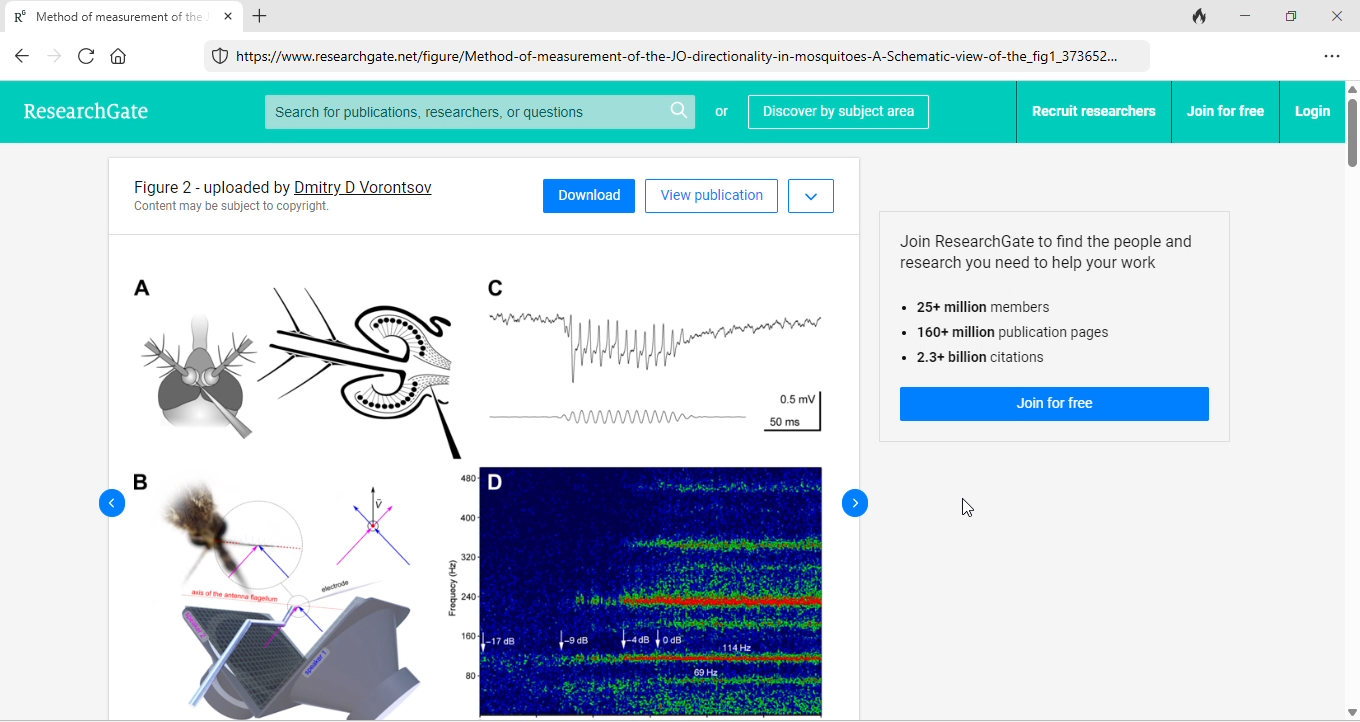 The height and width of the screenshot is (722, 1360). Describe the element at coordinates (1295, 17) in the screenshot. I see `maximize` at that location.